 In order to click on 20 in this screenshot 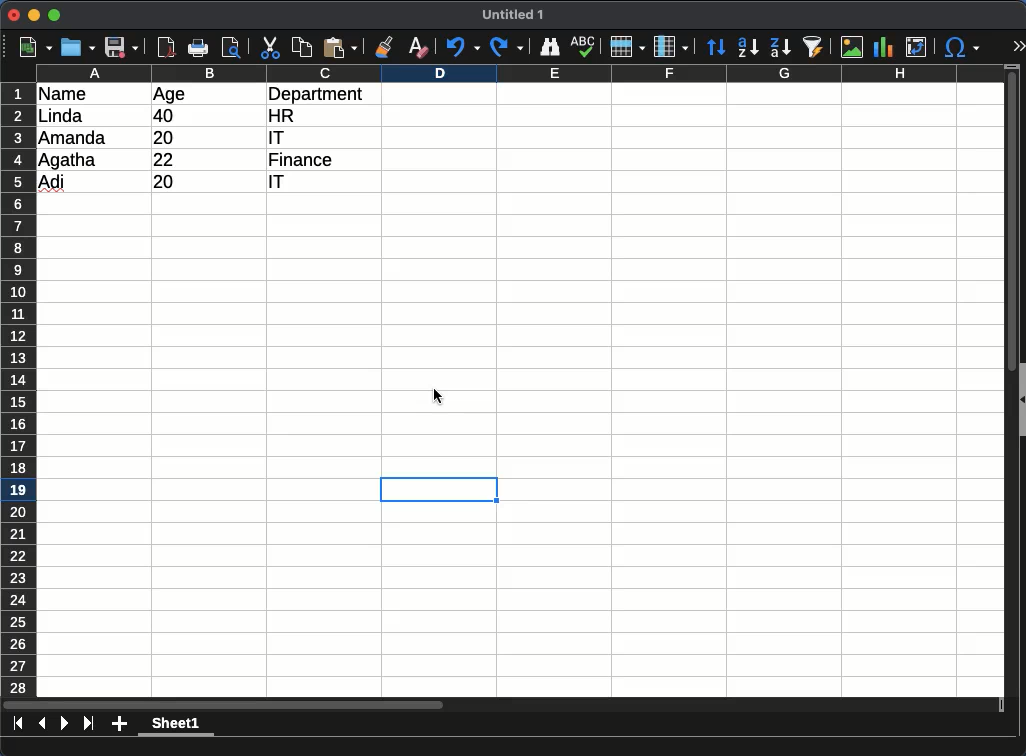, I will do `click(177, 182)`.